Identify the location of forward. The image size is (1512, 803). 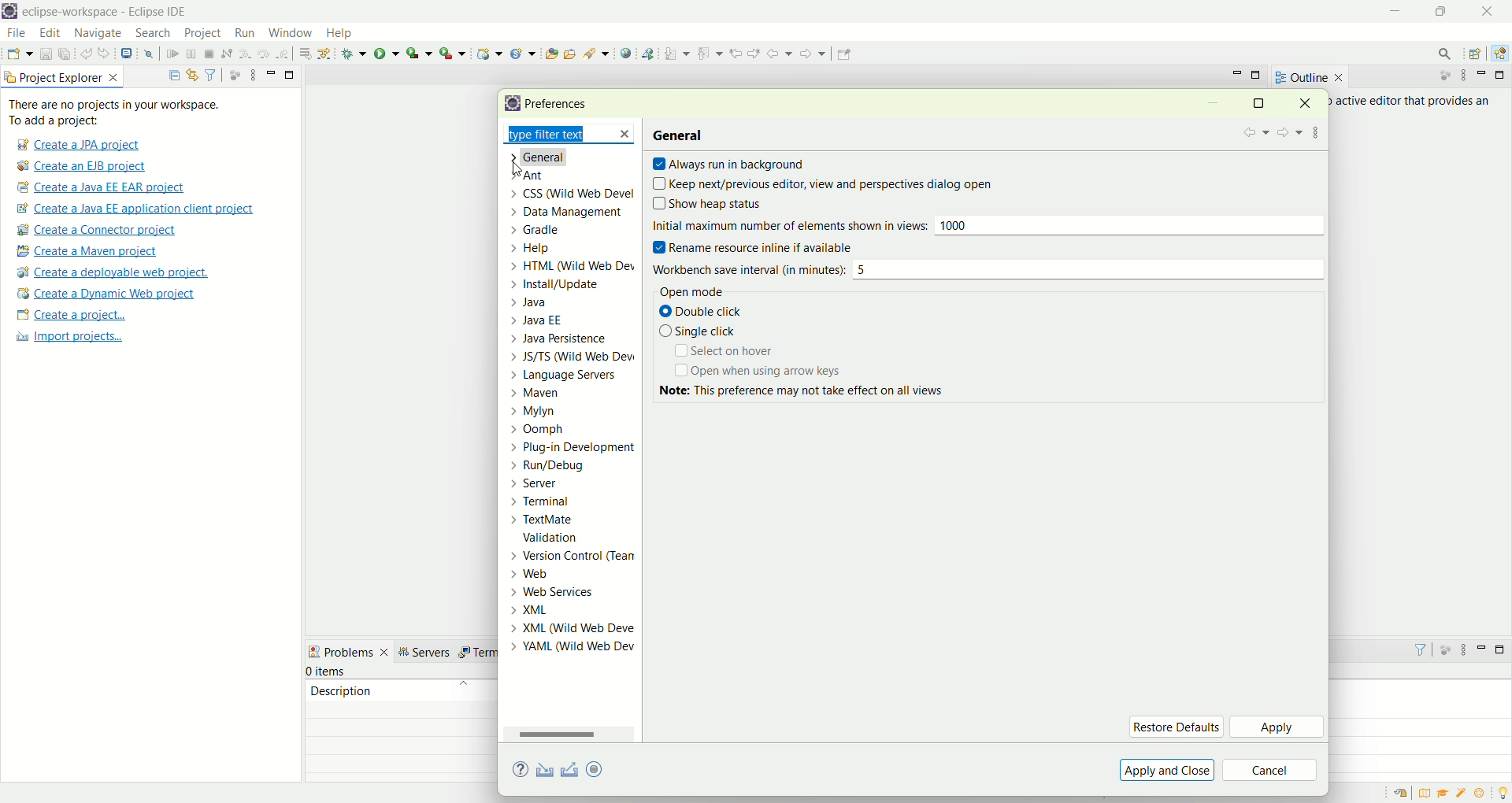
(811, 57).